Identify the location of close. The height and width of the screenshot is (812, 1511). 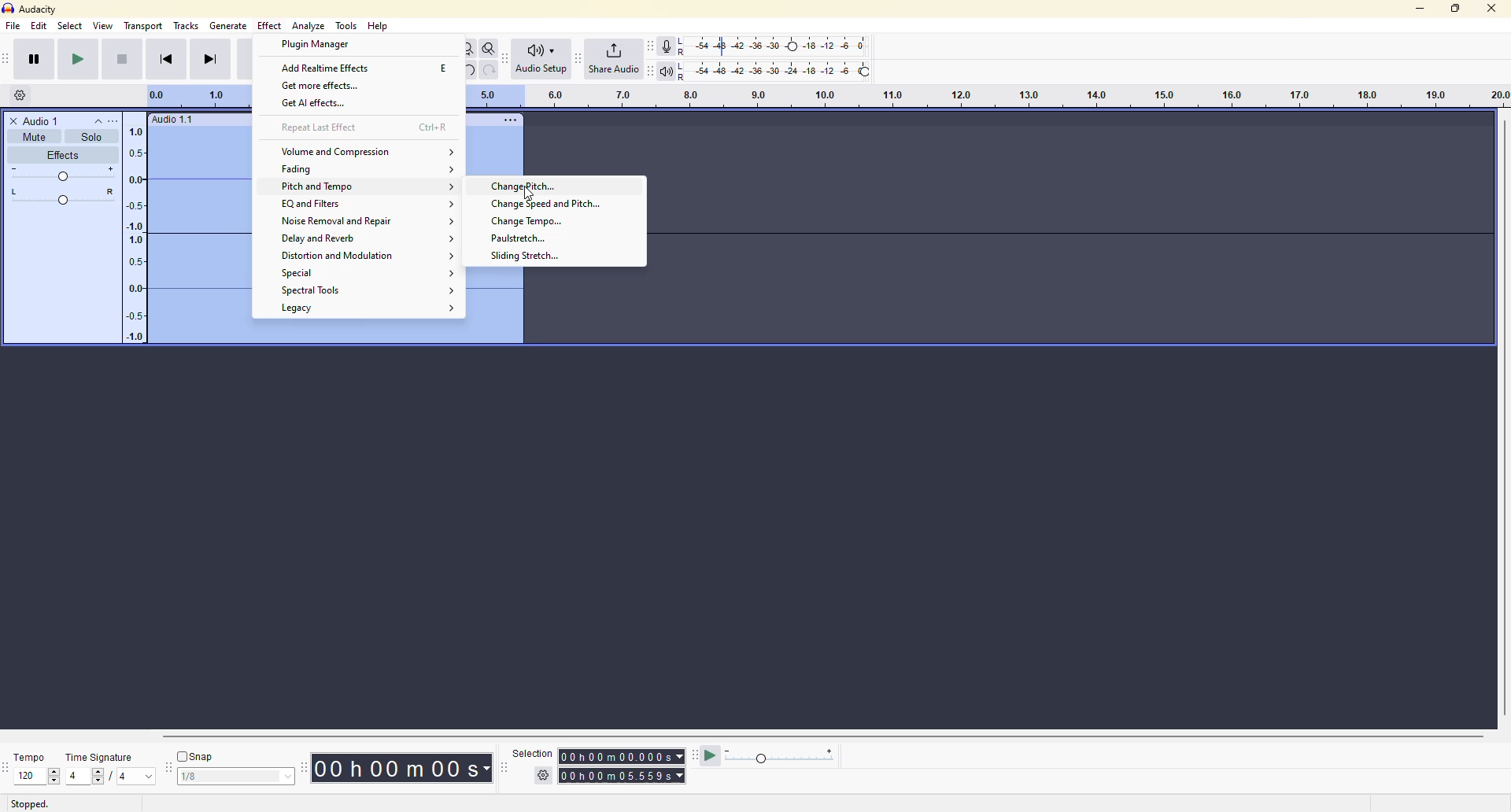
(1493, 8).